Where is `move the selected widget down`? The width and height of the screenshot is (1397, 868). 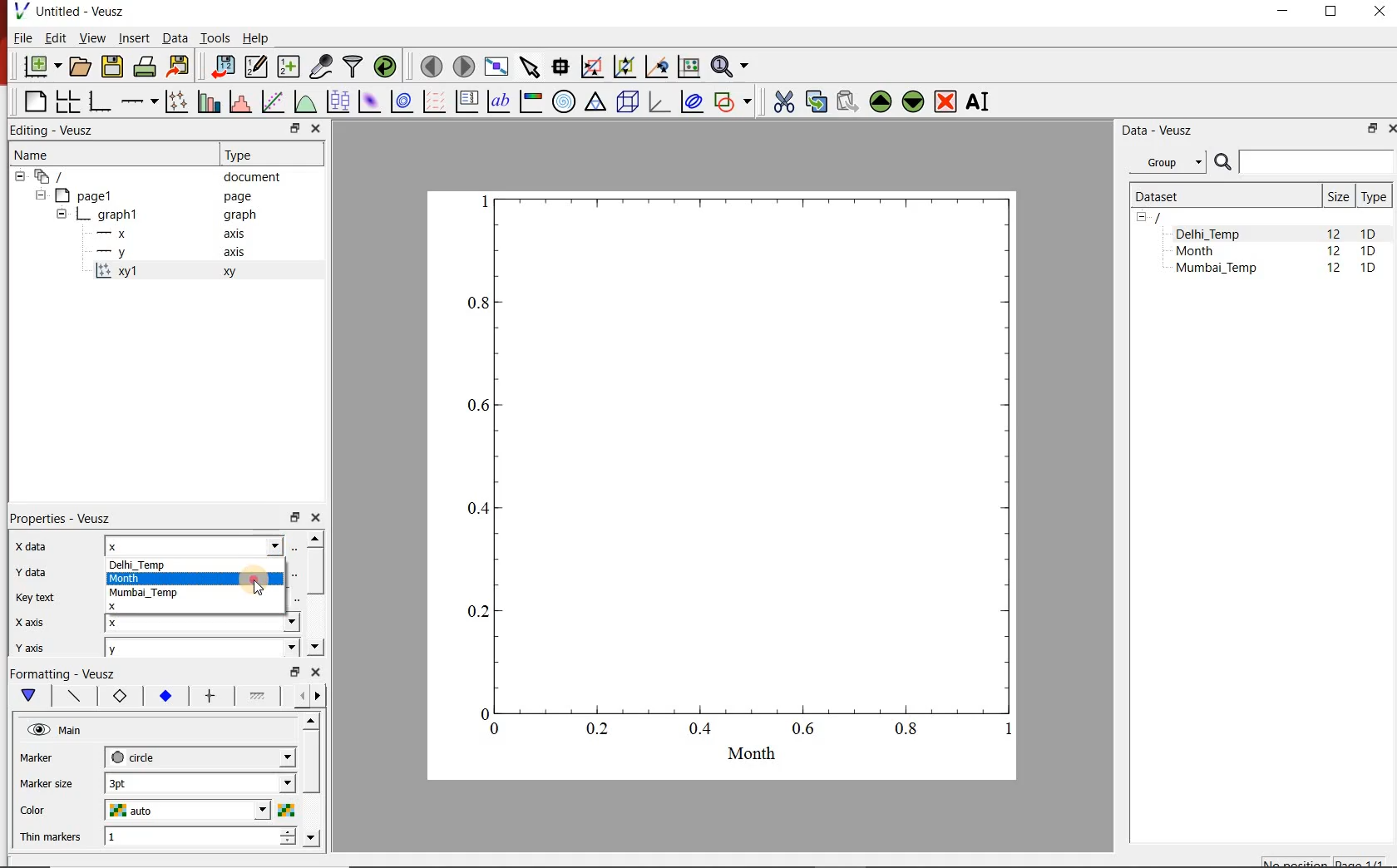 move the selected widget down is located at coordinates (913, 102).